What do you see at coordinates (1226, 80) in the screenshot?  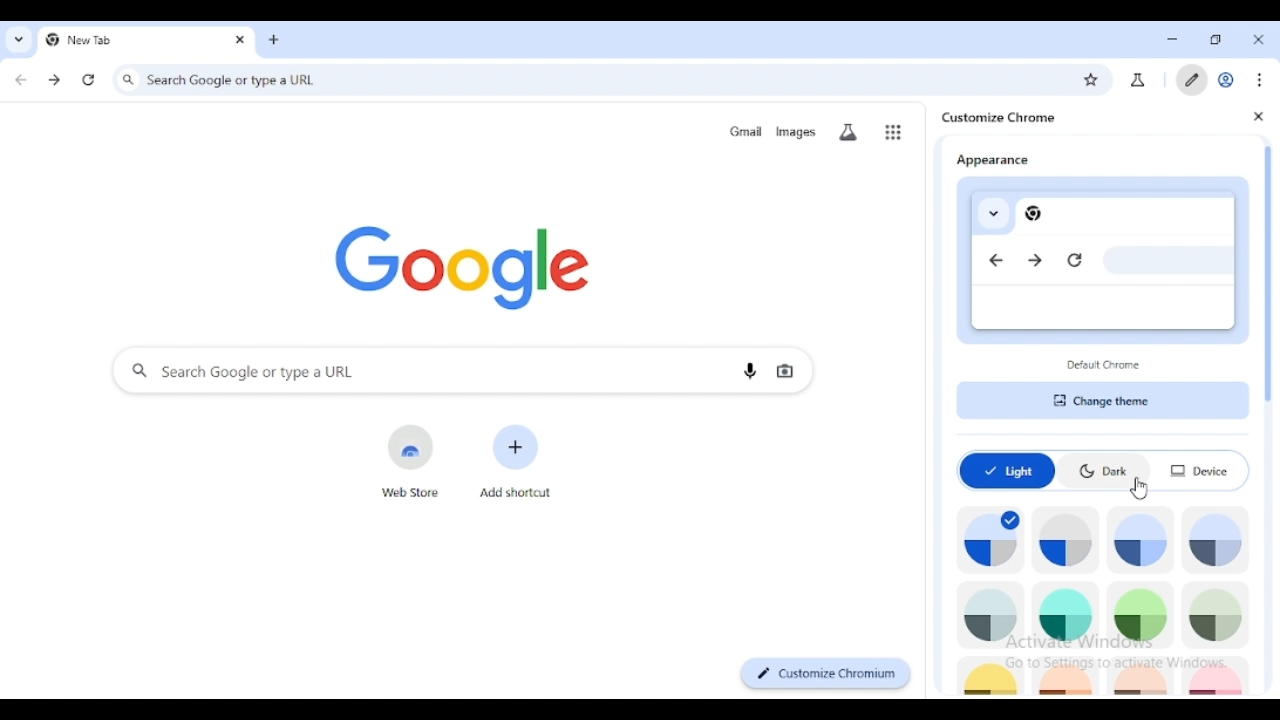 I see `profile` at bounding box center [1226, 80].